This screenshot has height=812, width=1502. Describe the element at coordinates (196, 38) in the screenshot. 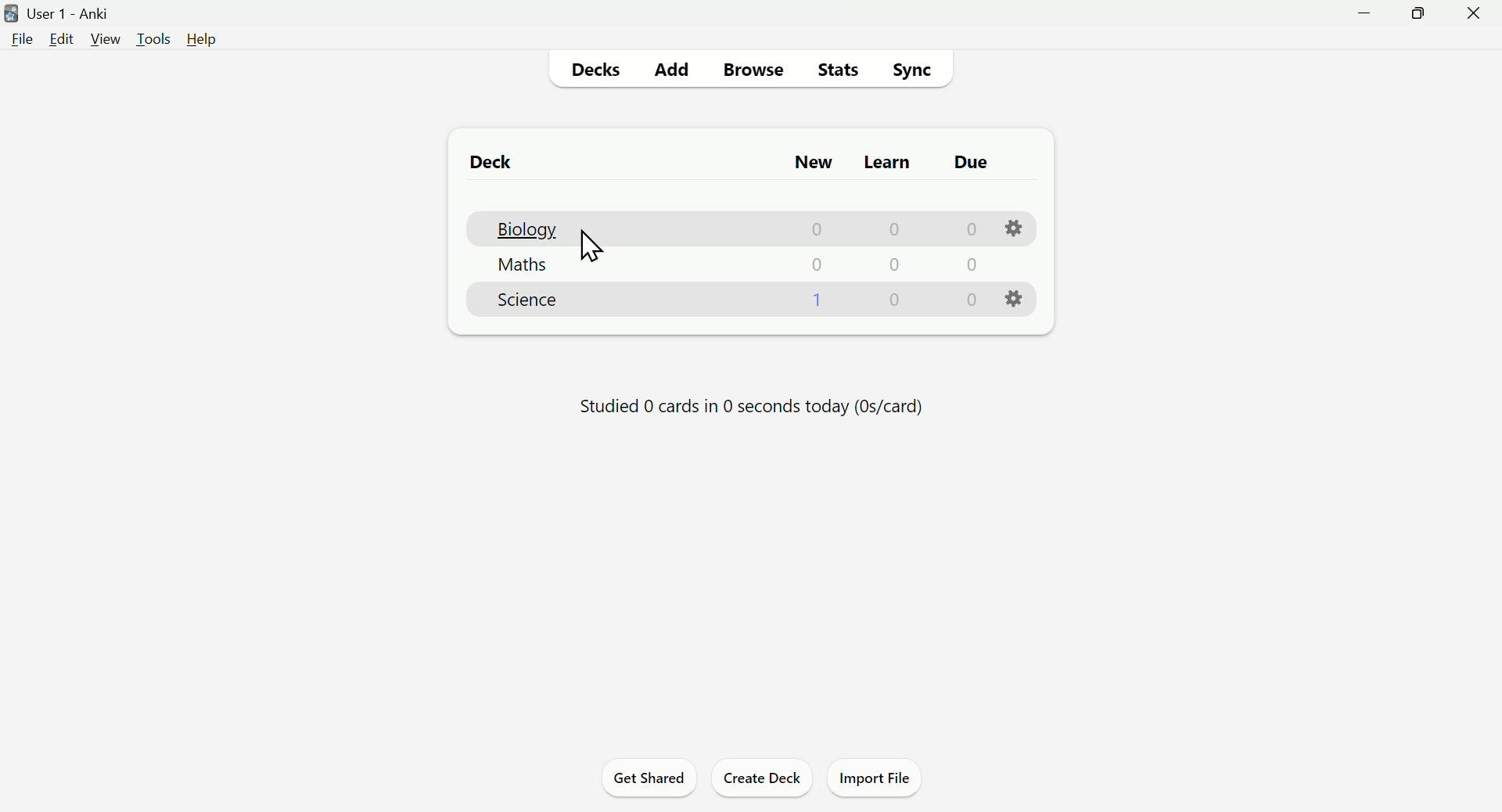

I see `Help` at that location.